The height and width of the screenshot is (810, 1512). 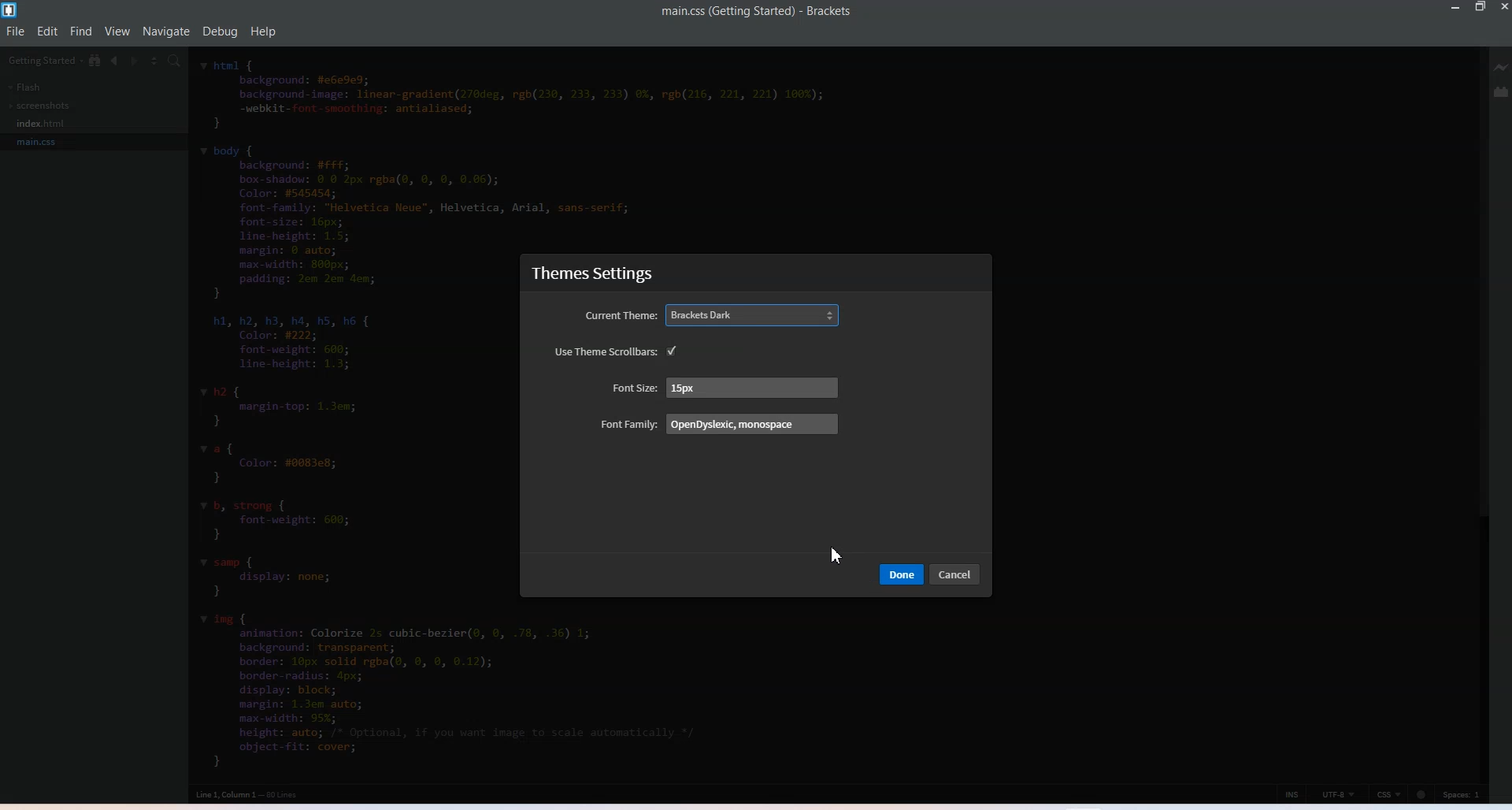 What do you see at coordinates (957, 574) in the screenshot?
I see `Cancel` at bounding box center [957, 574].